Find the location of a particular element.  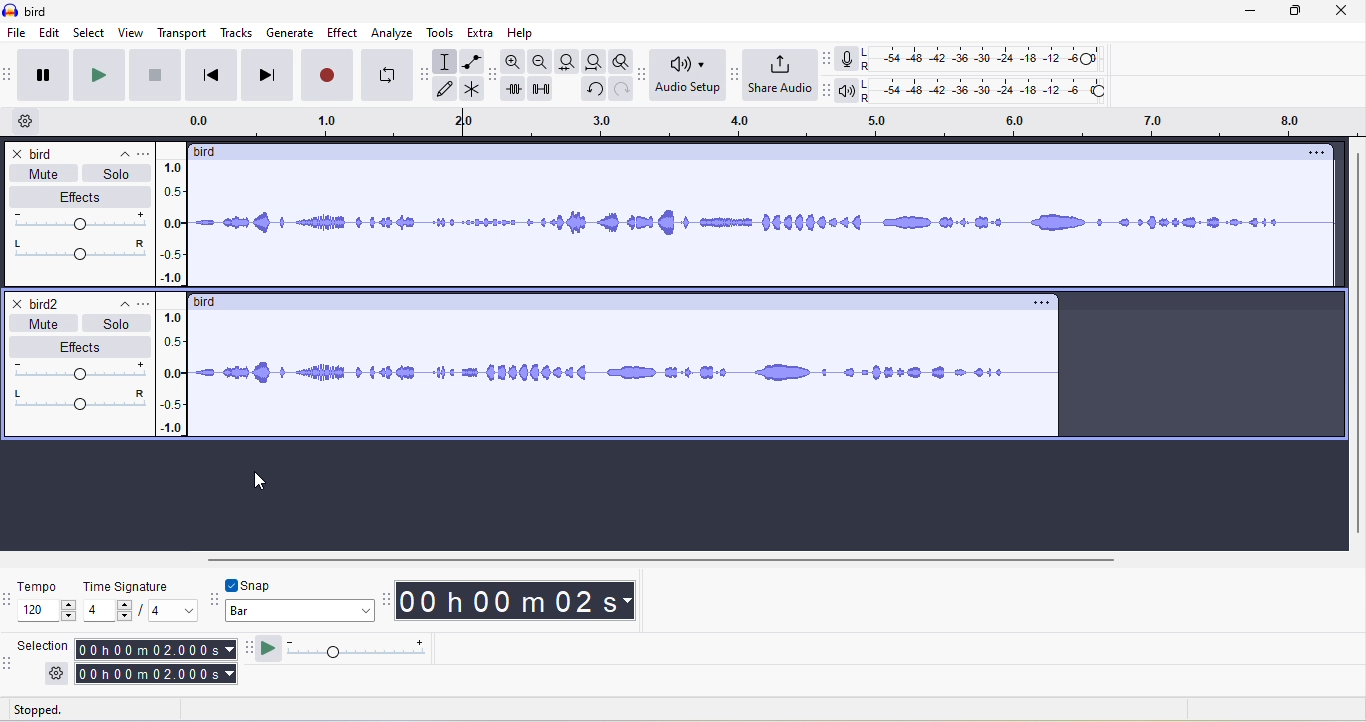

pause is located at coordinates (42, 73).